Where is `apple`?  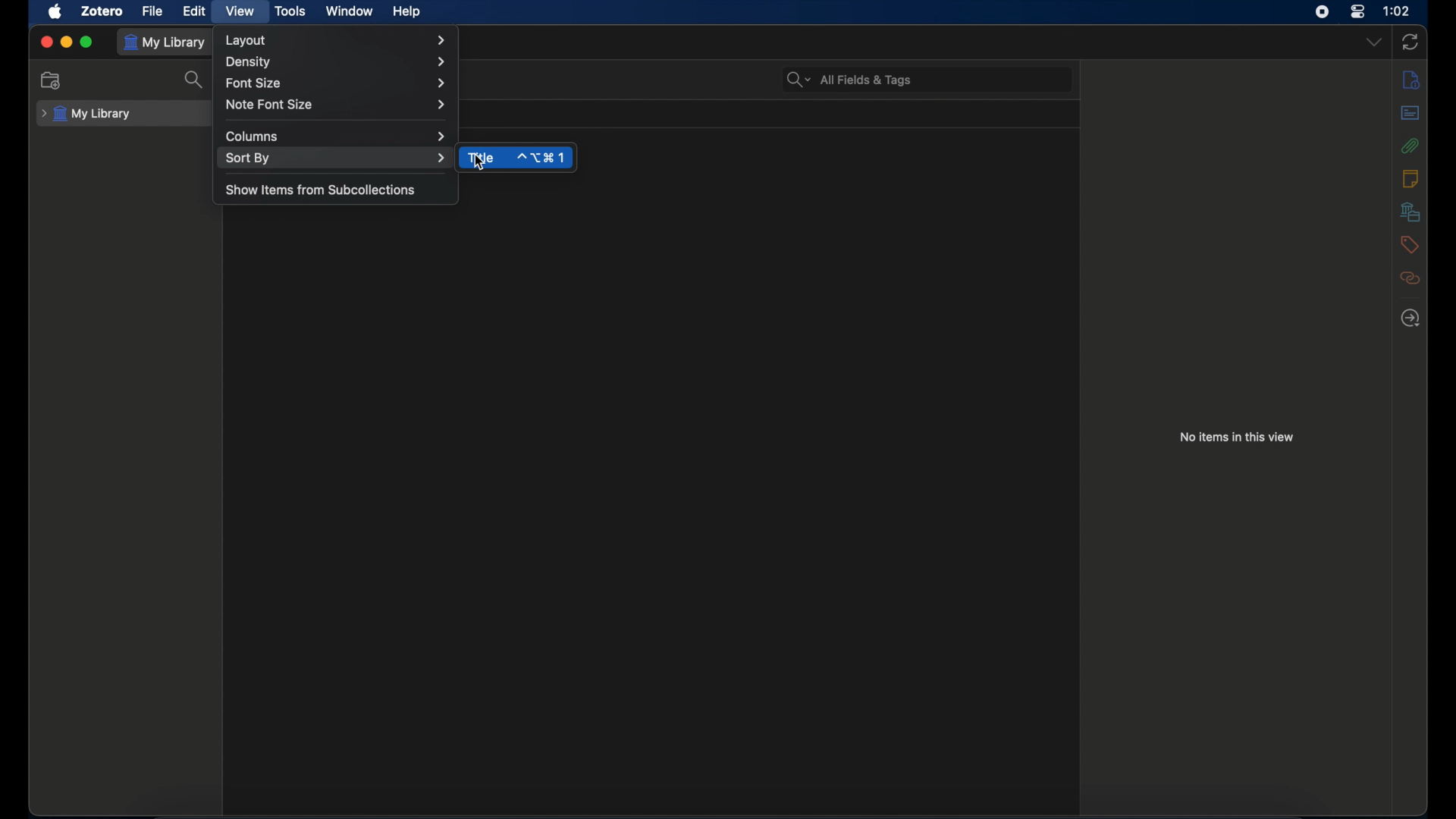 apple is located at coordinates (55, 12).